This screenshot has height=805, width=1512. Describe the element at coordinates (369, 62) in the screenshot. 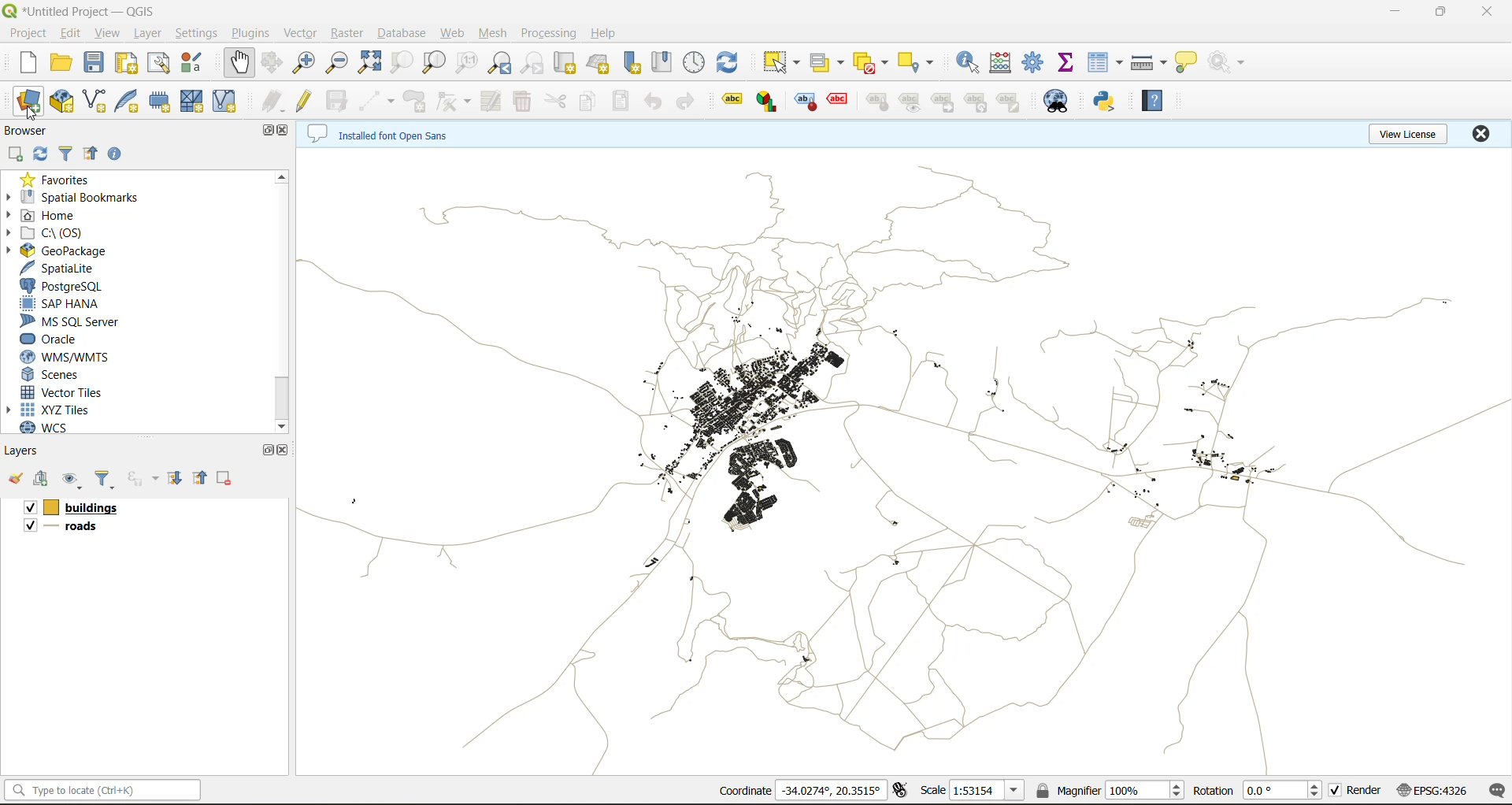

I see `zoom full` at that location.